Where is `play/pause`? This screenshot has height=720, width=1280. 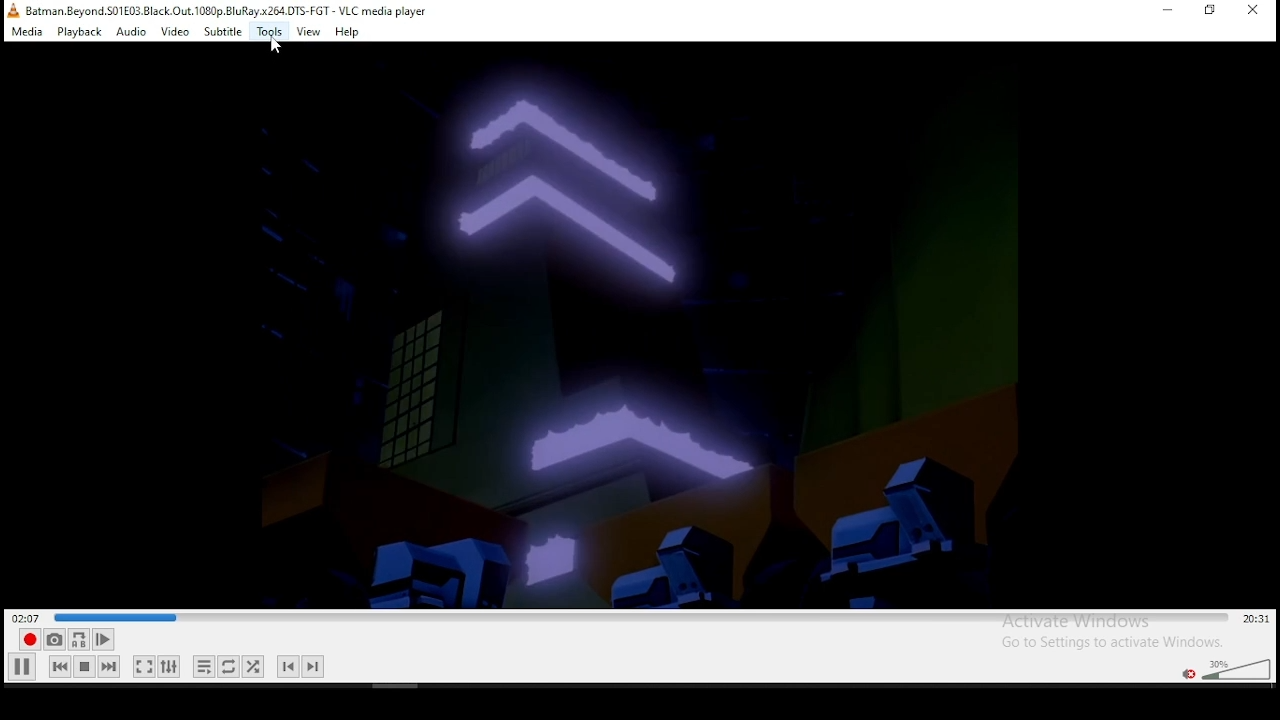 play/pause is located at coordinates (21, 667).